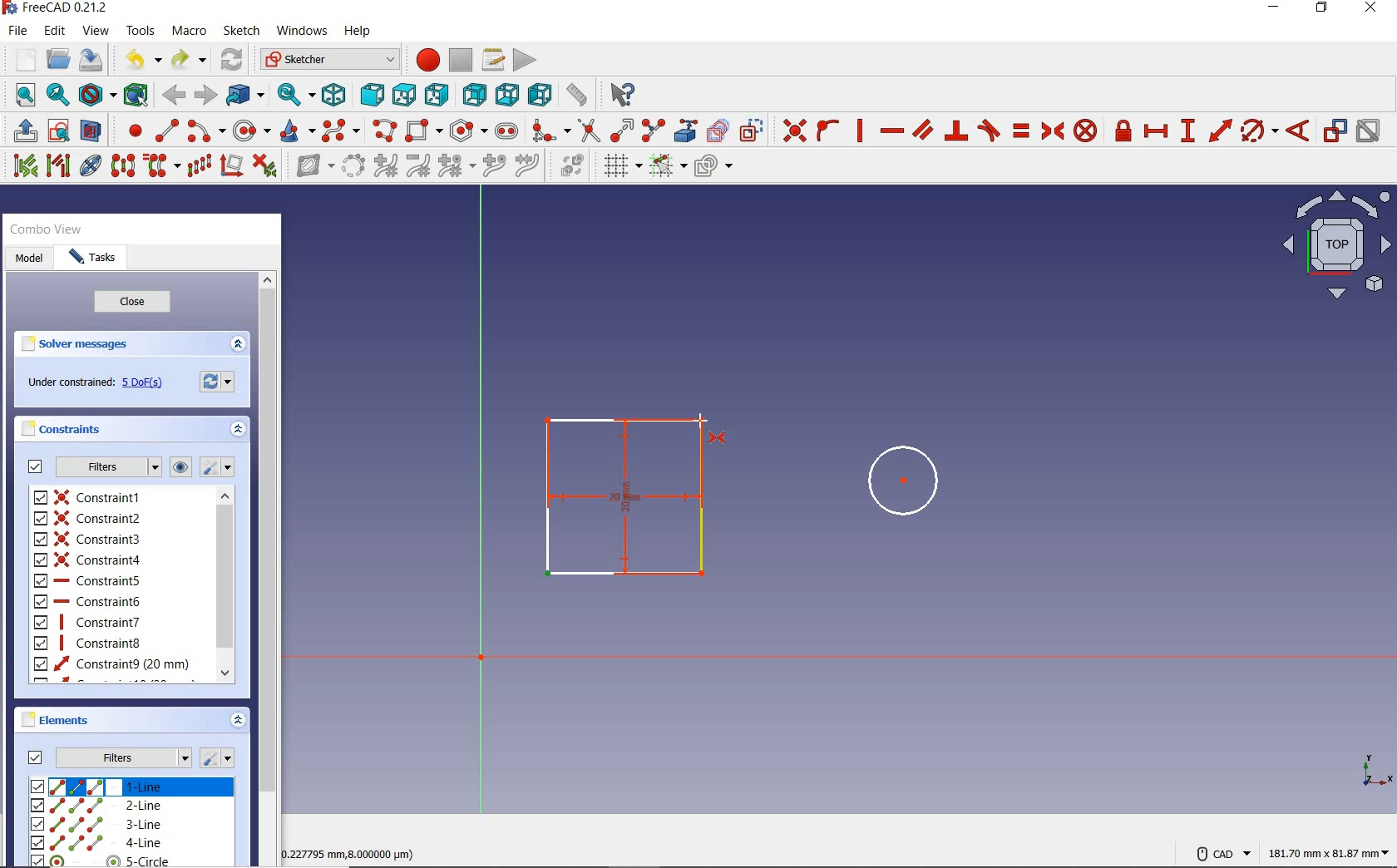 This screenshot has width=1397, height=868. What do you see at coordinates (22, 60) in the screenshot?
I see `new` at bounding box center [22, 60].